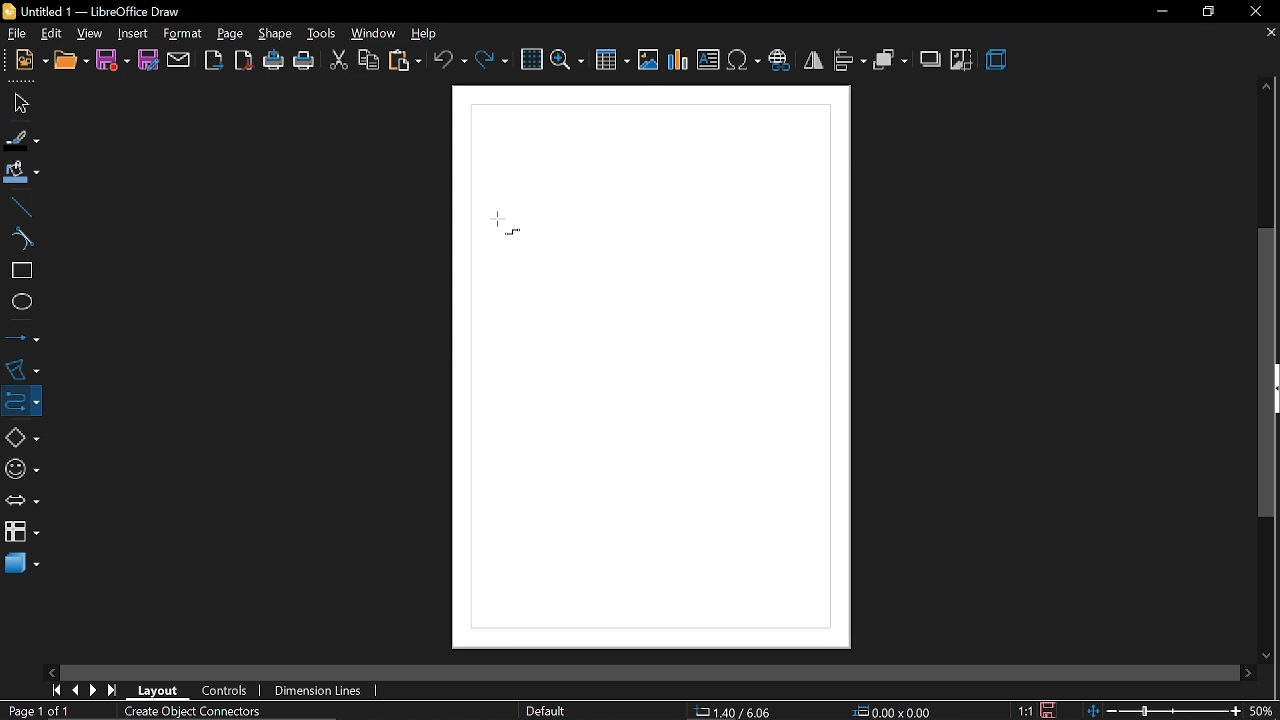 This screenshot has width=1280, height=720. What do you see at coordinates (226, 692) in the screenshot?
I see `controls` at bounding box center [226, 692].